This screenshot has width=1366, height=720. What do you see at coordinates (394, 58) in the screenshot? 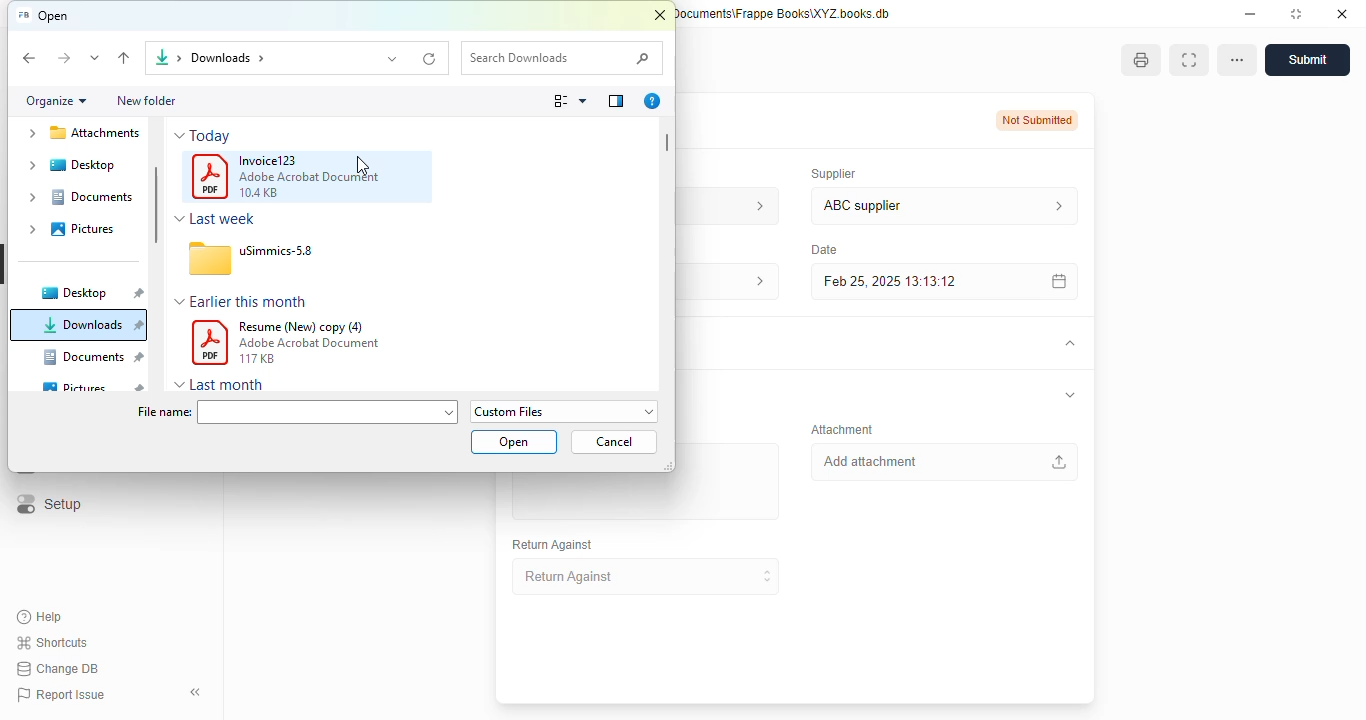
I see `previous locations` at bounding box center [394, 58].